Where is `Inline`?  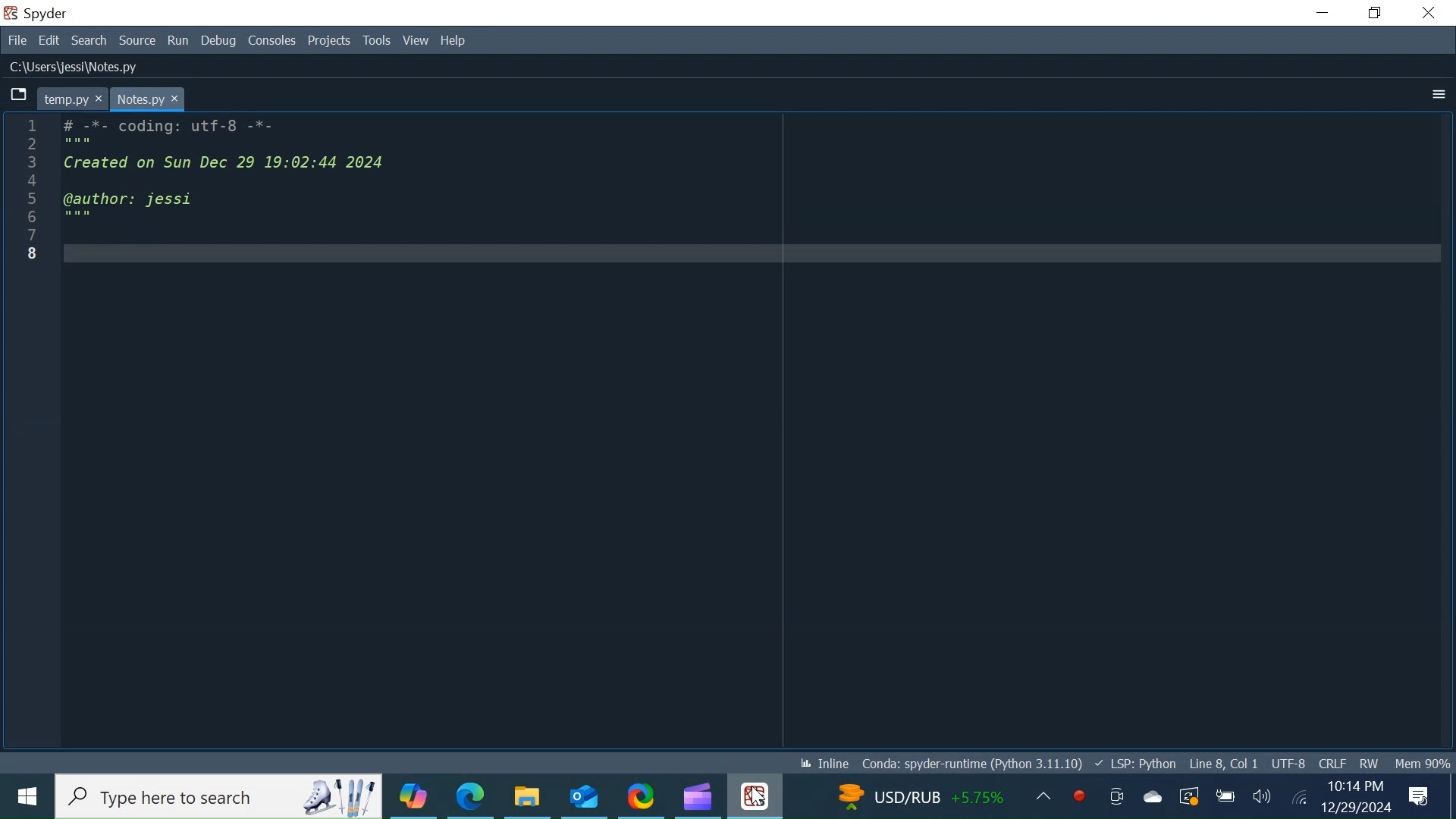
Inline is located at coordinates (821, 763).